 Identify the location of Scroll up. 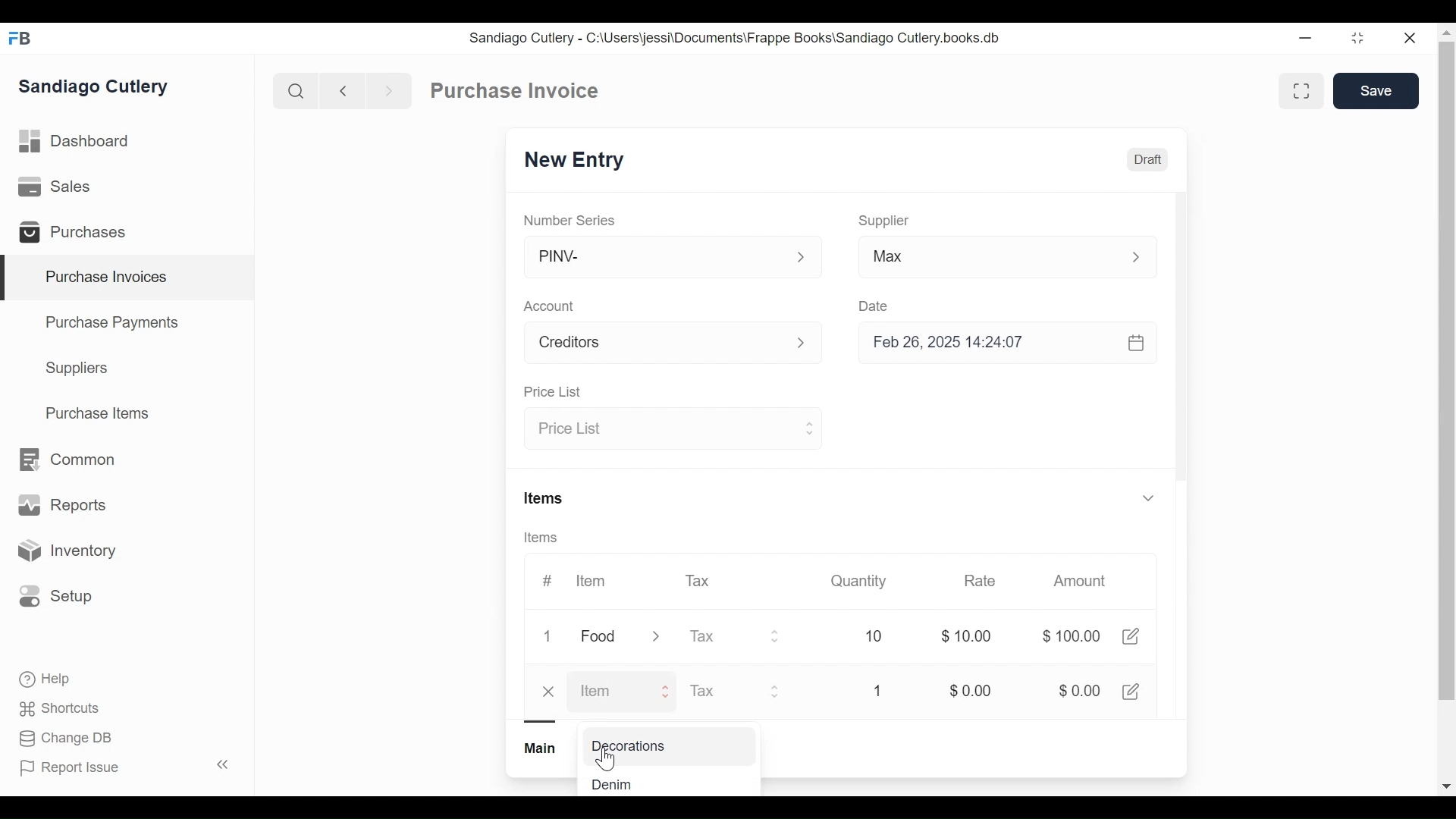
(1447, 35).